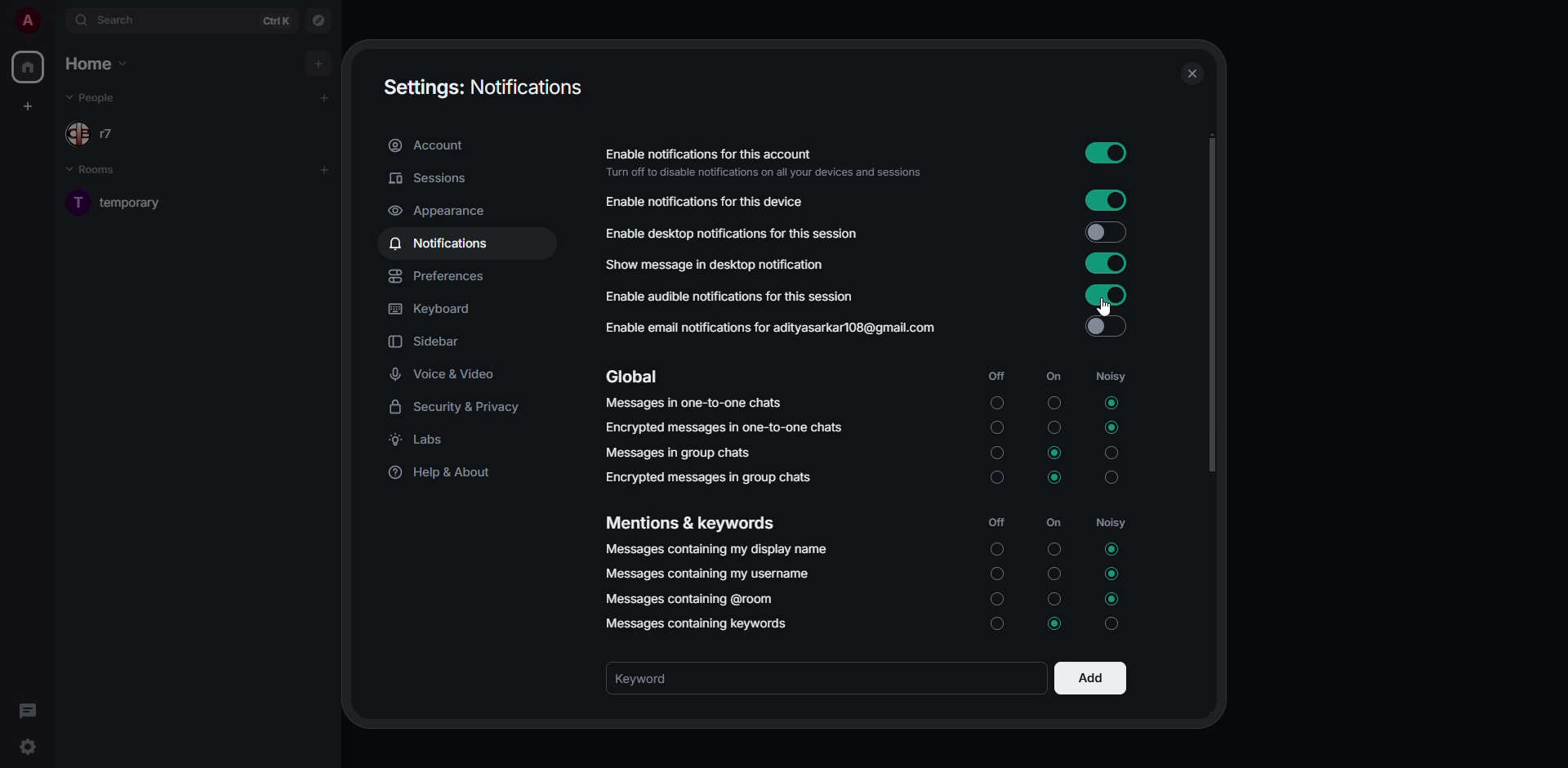  What do you see at coordinates (758, 231) in the screenshot?
I see `enable desktop notifications for this session` at bounding box center [758, 231].